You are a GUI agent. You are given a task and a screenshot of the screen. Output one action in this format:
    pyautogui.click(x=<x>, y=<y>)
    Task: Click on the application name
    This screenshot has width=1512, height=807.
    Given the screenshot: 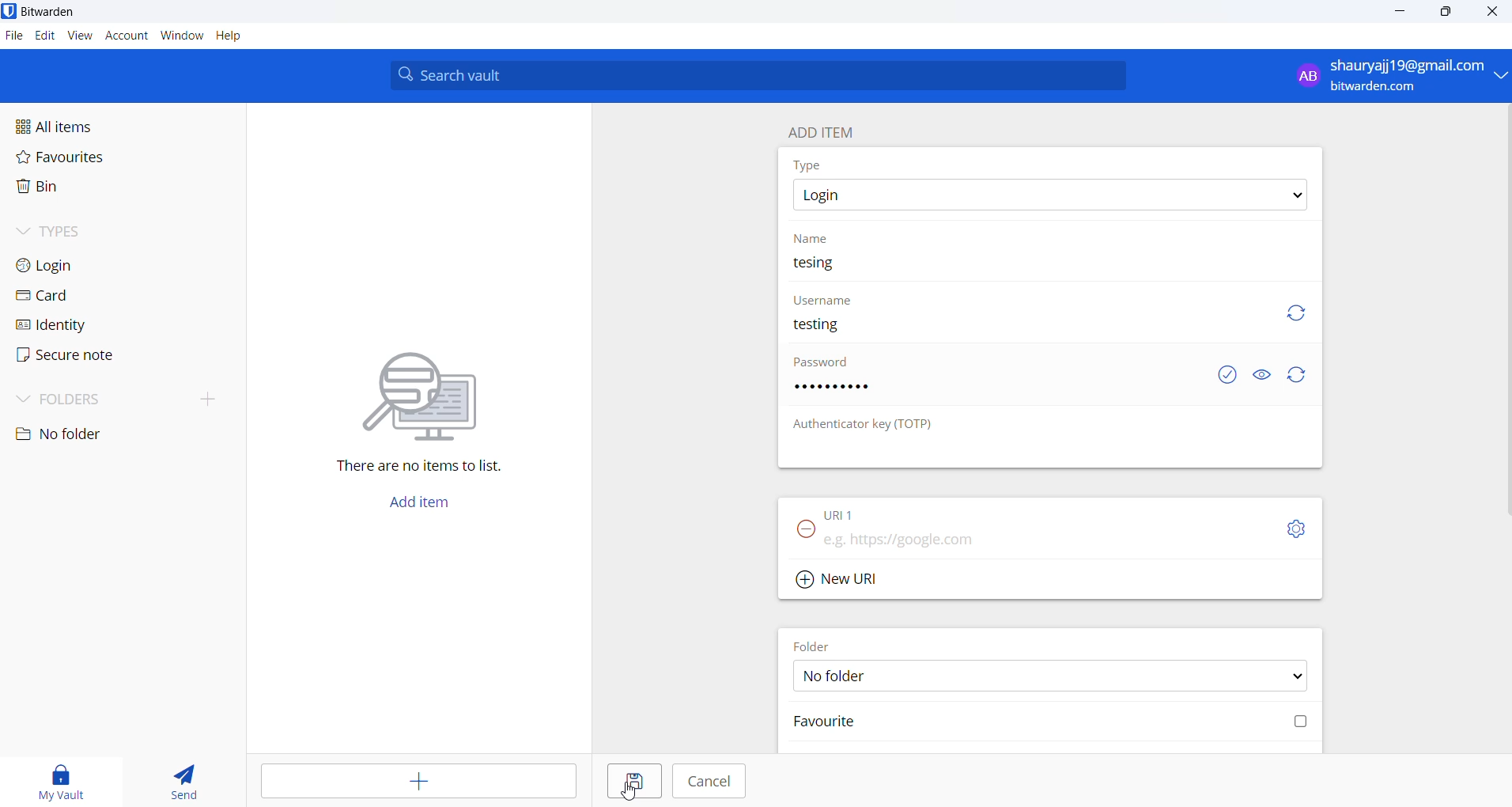 What is the action you would take?
    pyautogui.click(x=55, y=12)
    